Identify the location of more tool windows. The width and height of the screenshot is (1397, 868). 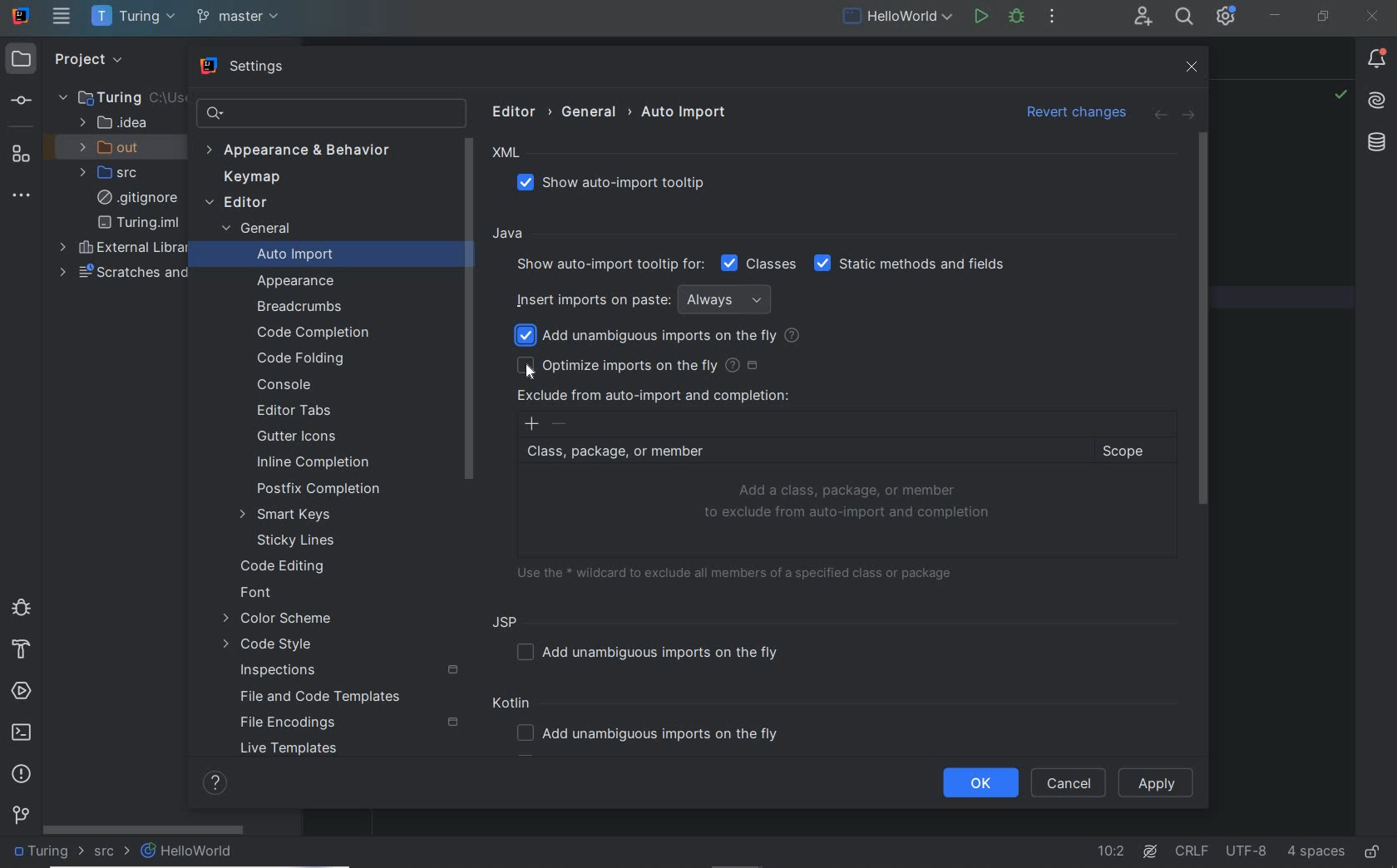
(22, 196).